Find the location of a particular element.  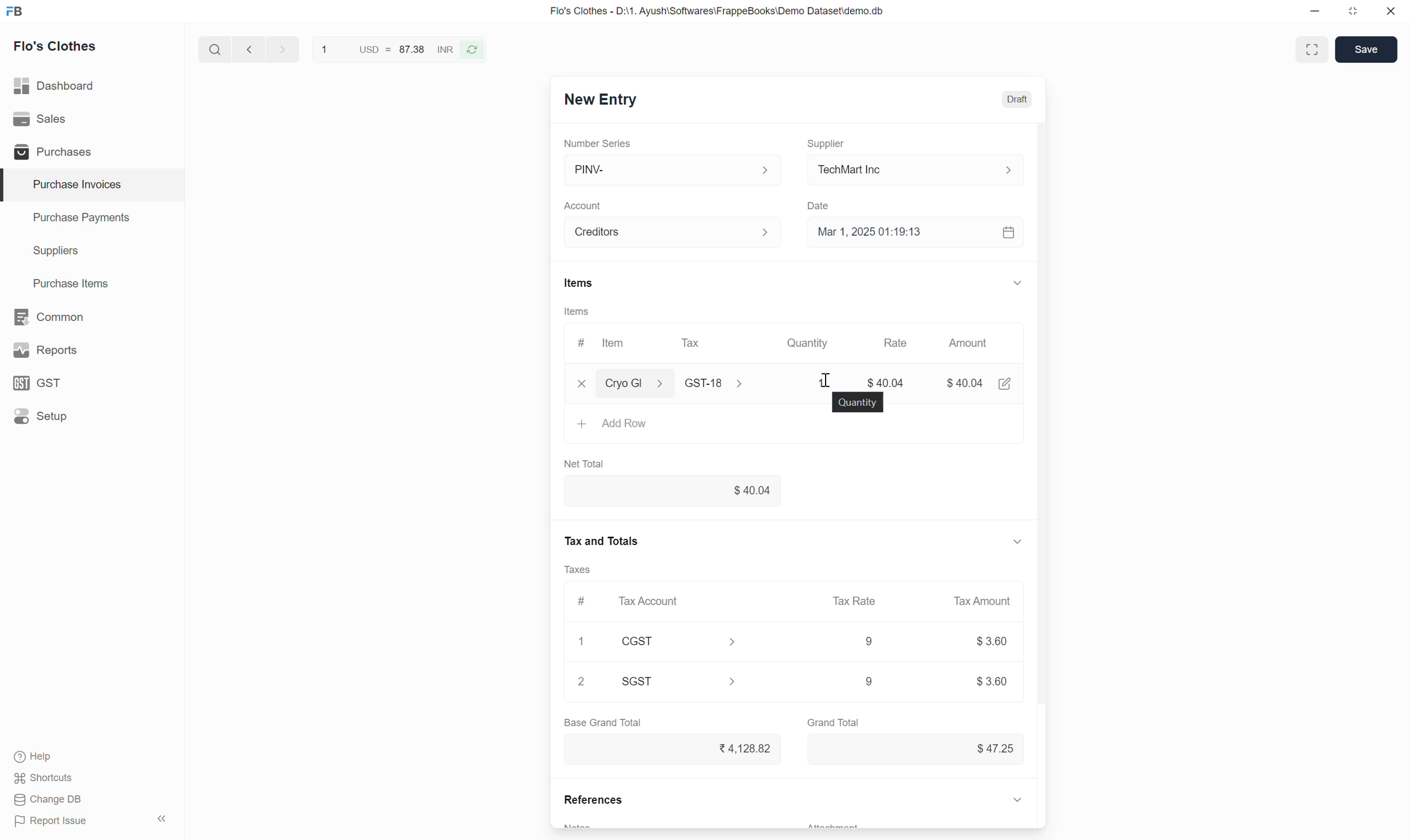

next is located at coordinates (247, 50).